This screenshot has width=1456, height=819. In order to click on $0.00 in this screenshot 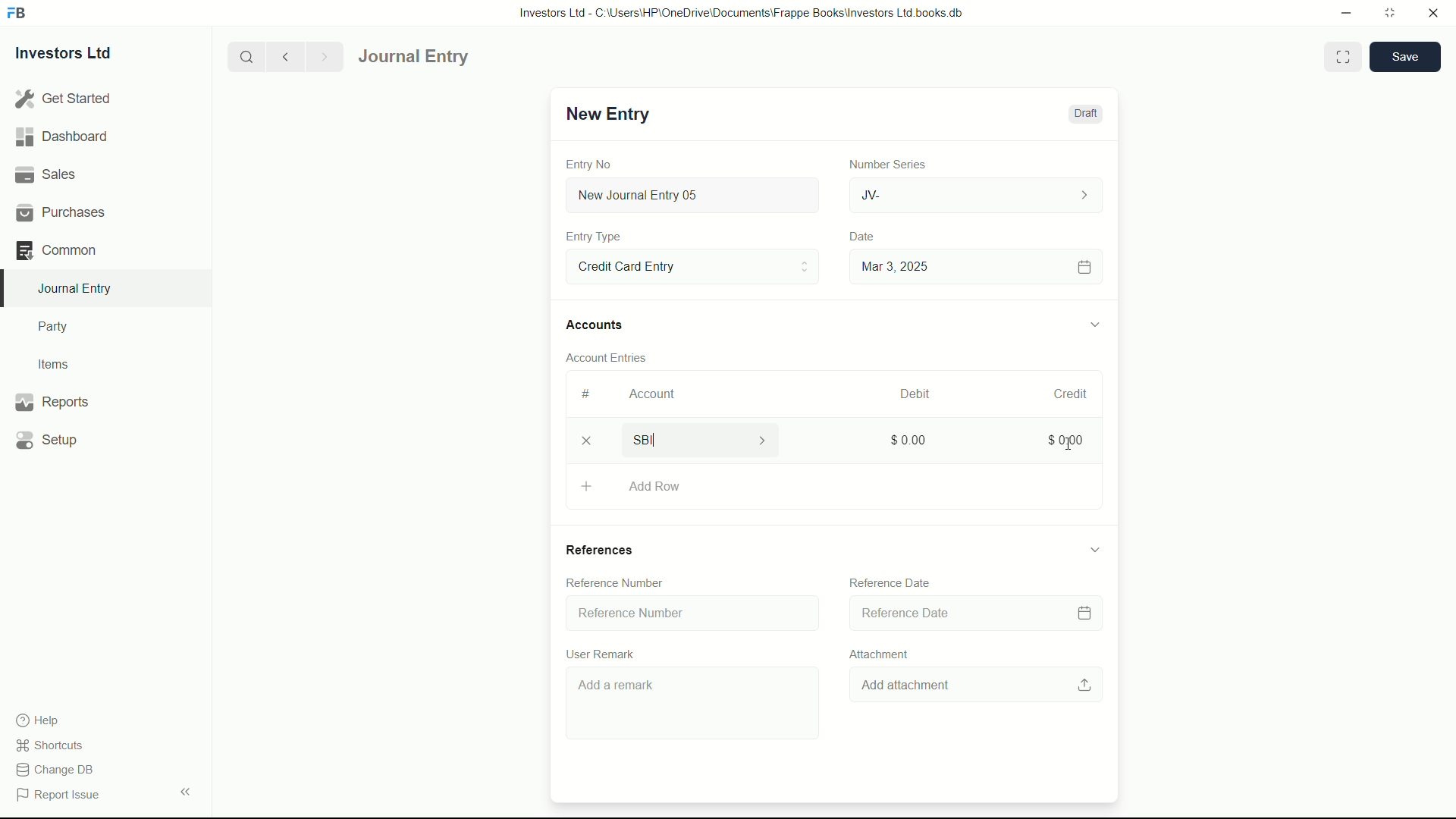, I will do `click(1059, 438)`.